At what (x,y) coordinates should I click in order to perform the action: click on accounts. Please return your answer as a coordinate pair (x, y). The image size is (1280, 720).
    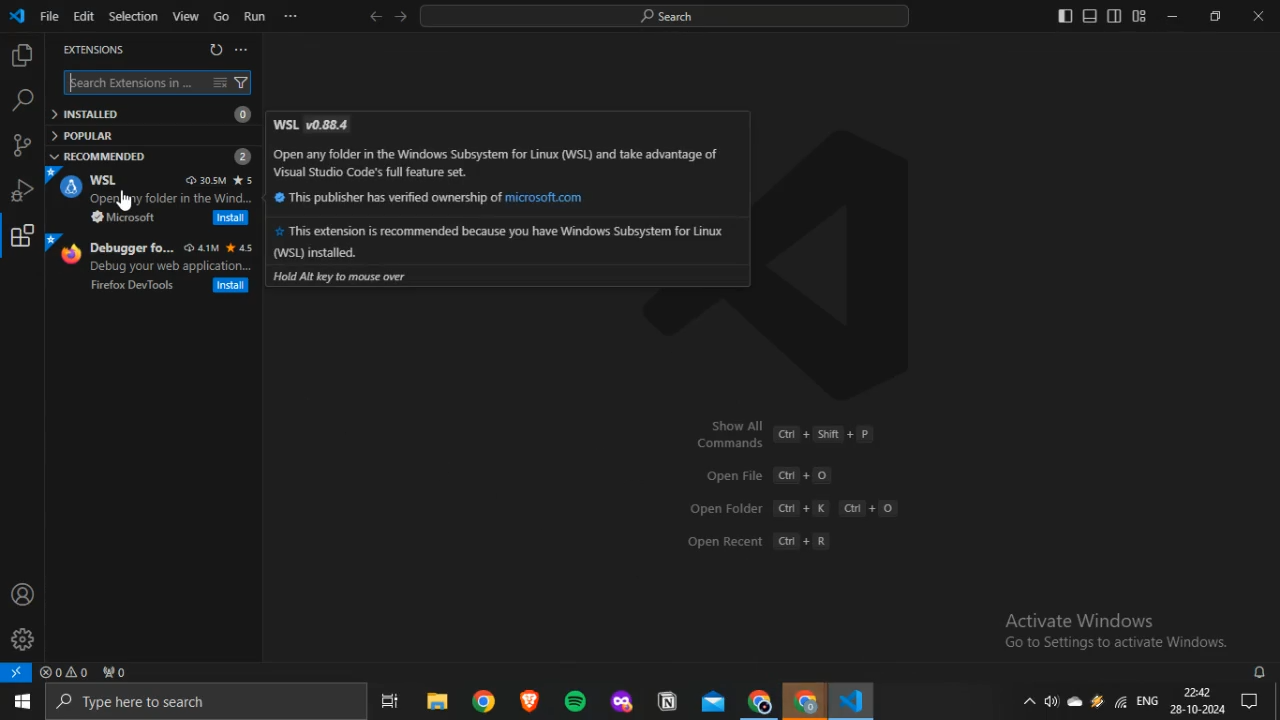
    Looking at the image, I should click on (23, 594).